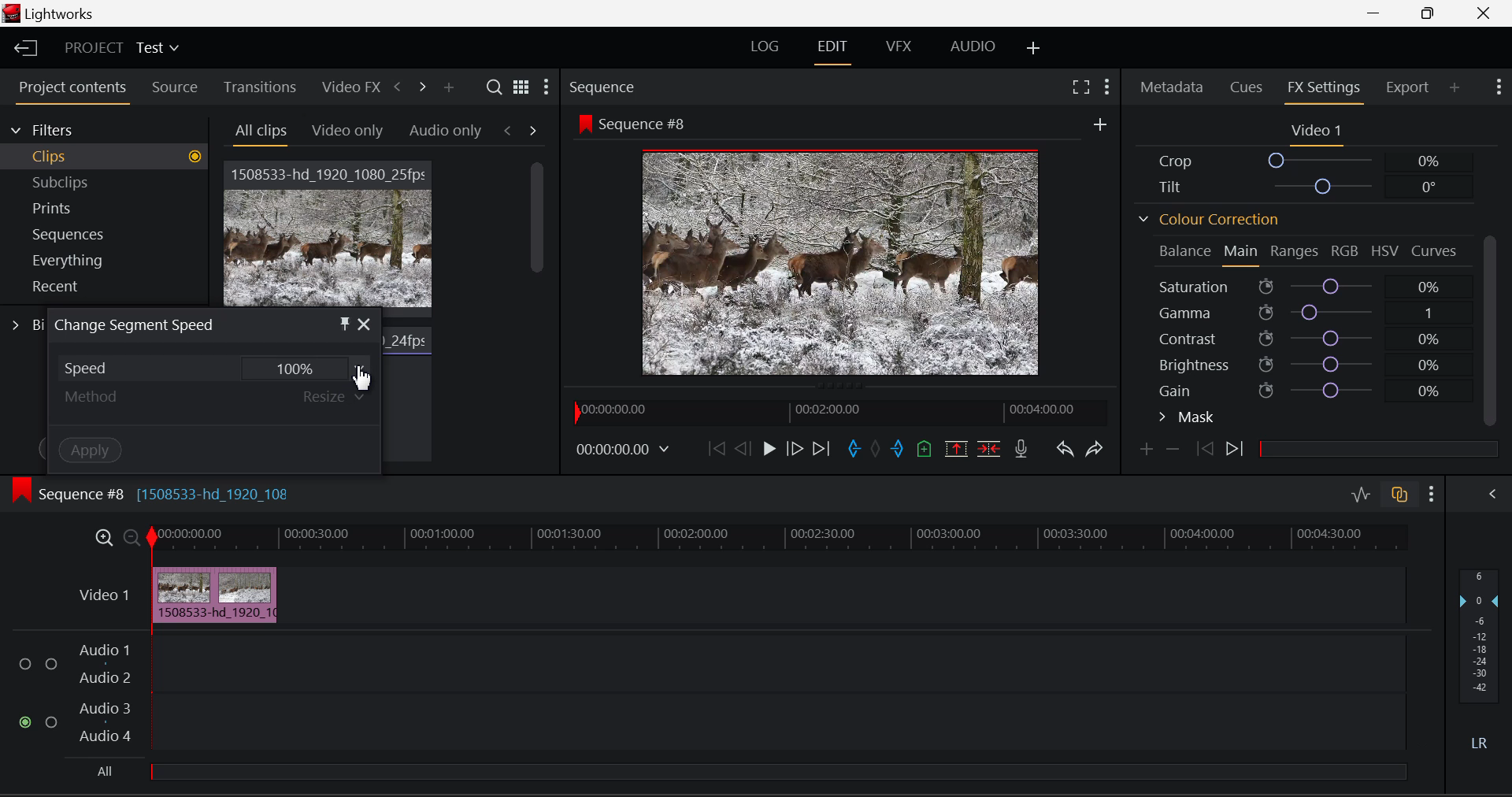 The width and height of the screenshot is (1512, 797). Describe the element at coordinates (304, 367) in the screenshot. I see `100%` at that location.